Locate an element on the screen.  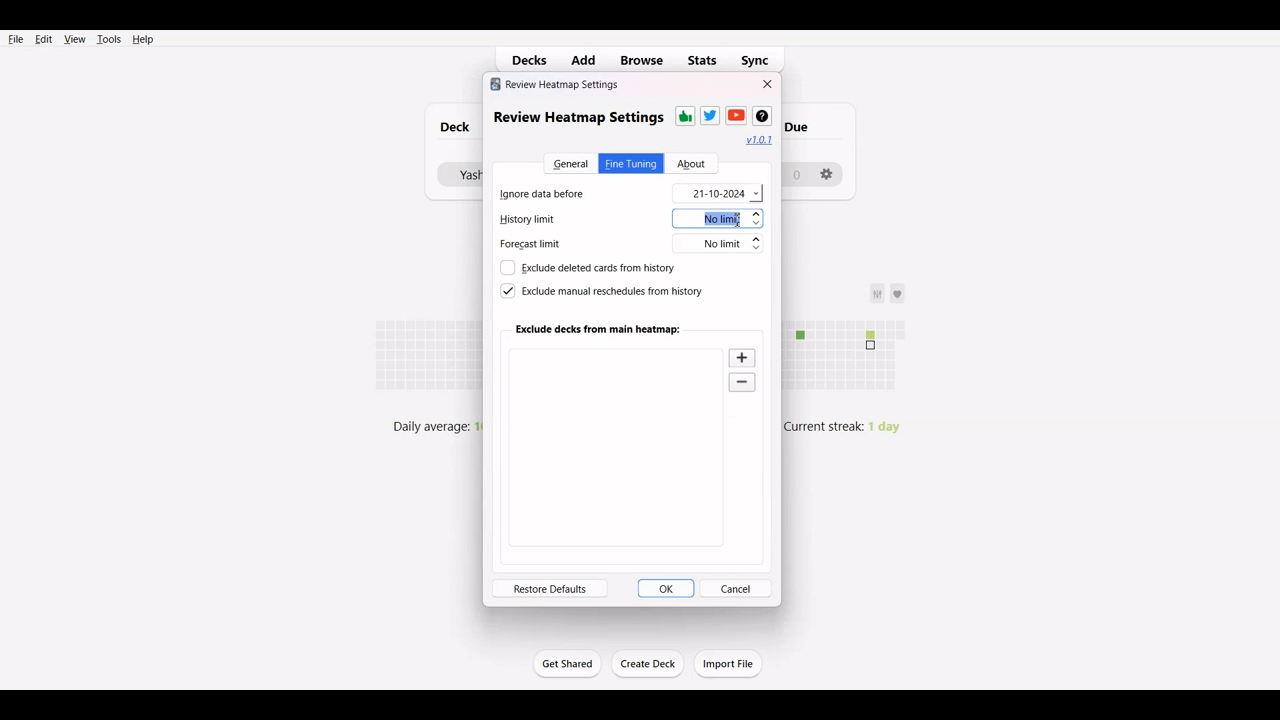
View is located at coordinates (74, 39).